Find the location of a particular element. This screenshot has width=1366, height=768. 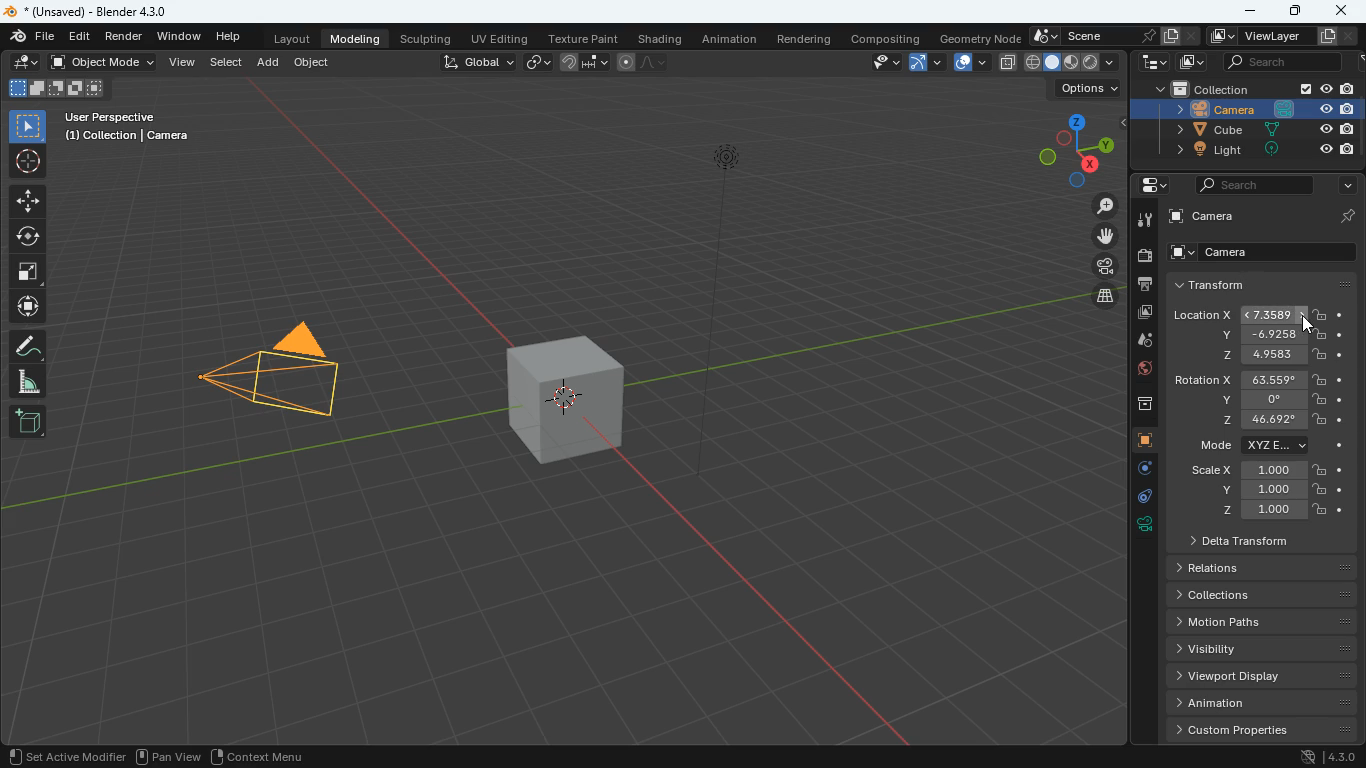

copy is located at coordinates (1171, 36).